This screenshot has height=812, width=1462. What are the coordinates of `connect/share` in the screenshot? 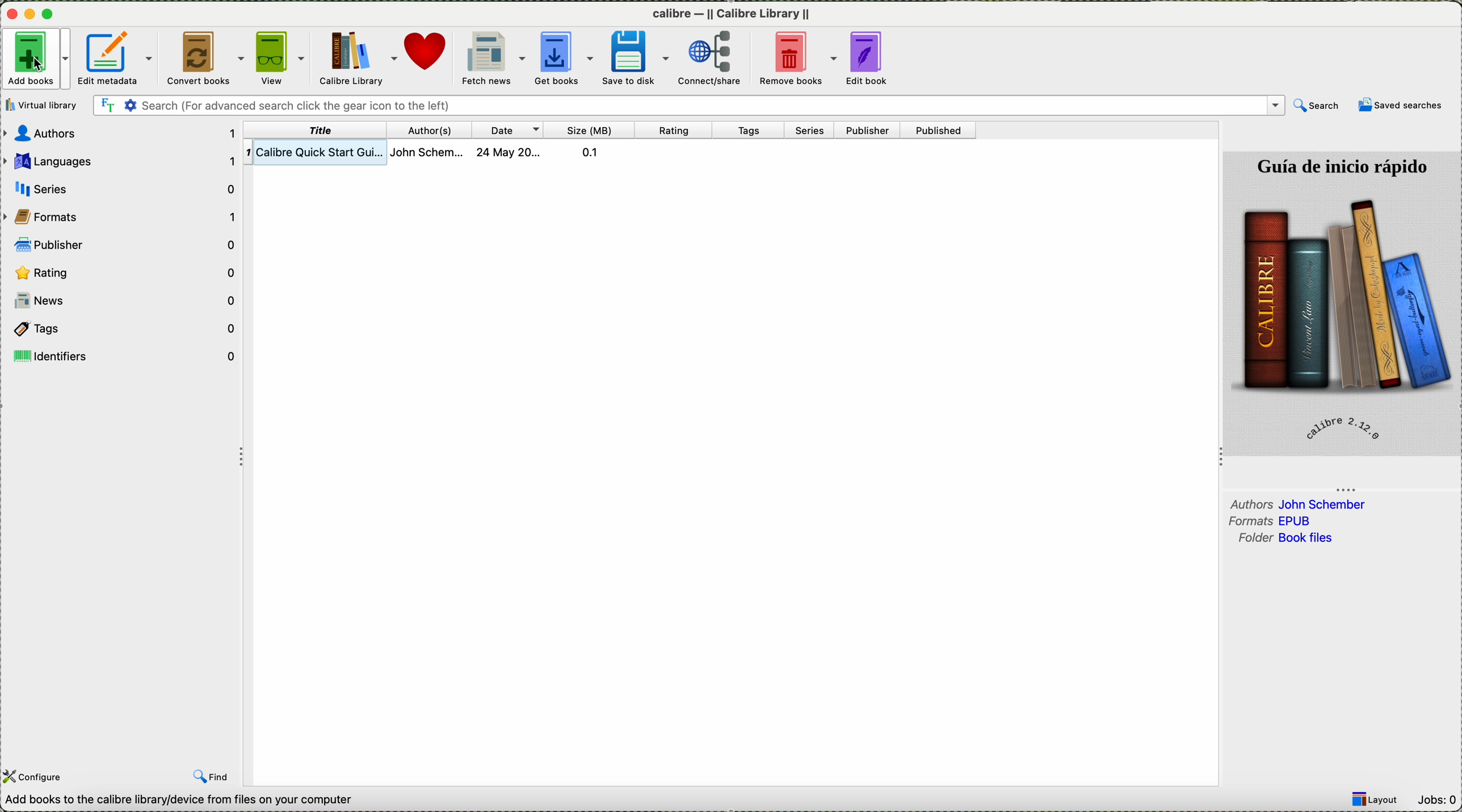 It's located at (711, 58).